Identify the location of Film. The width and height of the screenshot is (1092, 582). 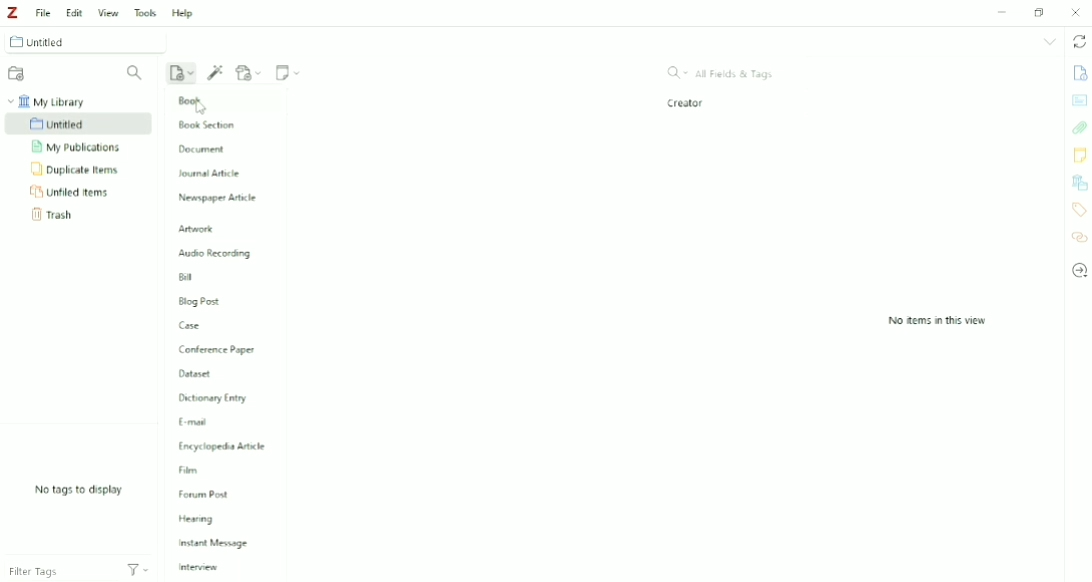
(191, 471).